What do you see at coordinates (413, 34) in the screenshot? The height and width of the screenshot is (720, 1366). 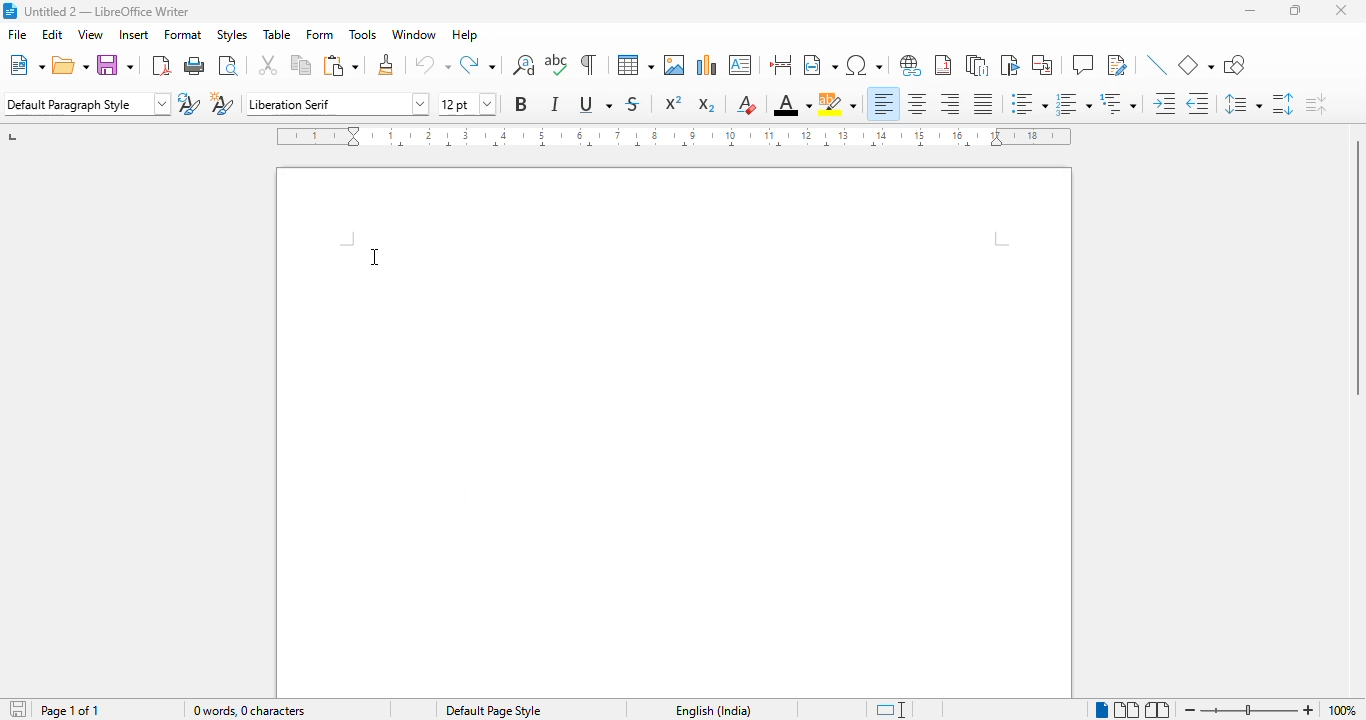 I see `window` at bounding box center [413, 34].